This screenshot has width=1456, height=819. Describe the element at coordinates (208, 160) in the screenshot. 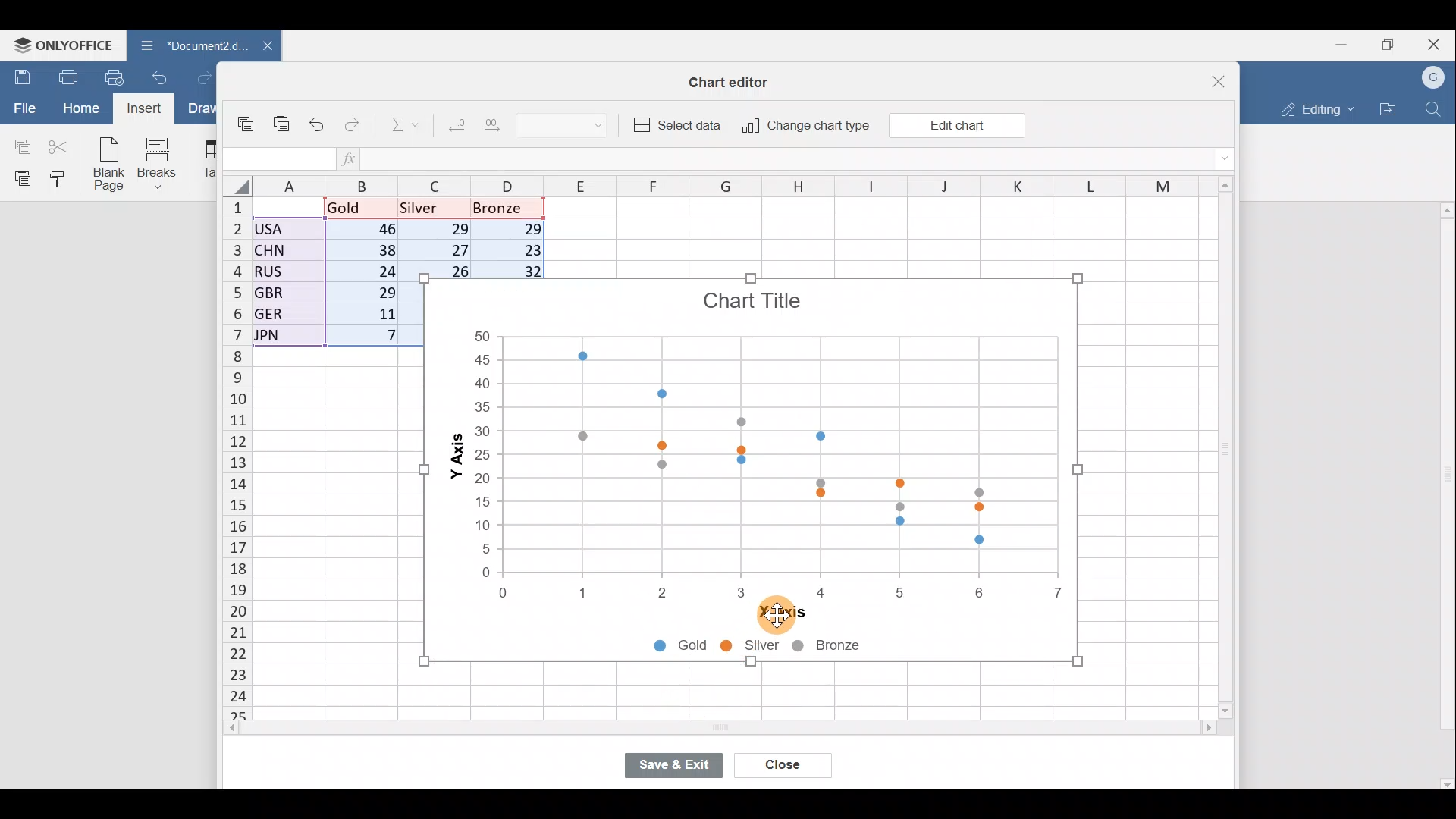

I see `Table` at that location.